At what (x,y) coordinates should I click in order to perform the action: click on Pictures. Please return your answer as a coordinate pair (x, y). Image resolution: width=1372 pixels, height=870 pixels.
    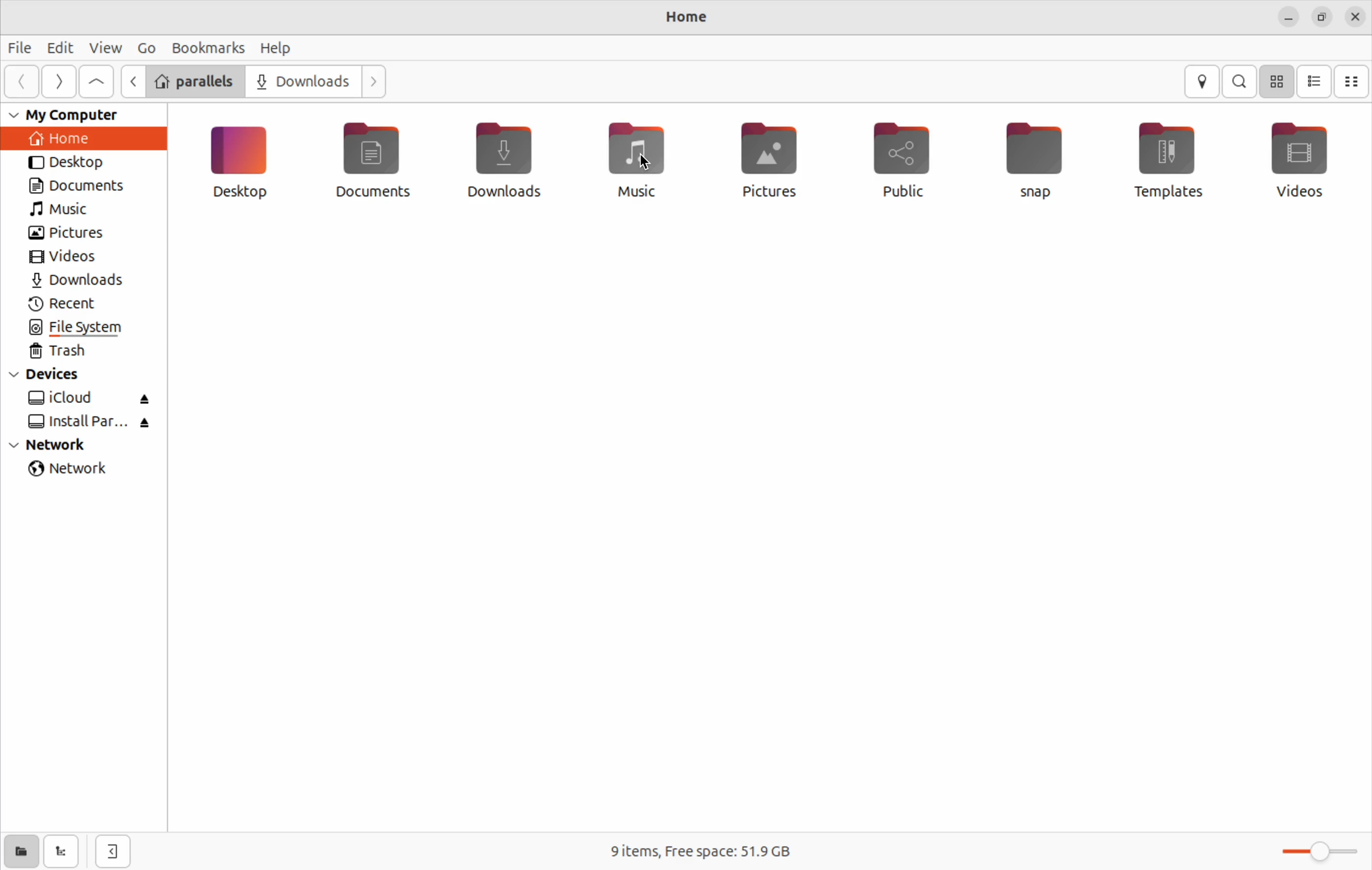
    Looking at the image, I should click on (775, 157).